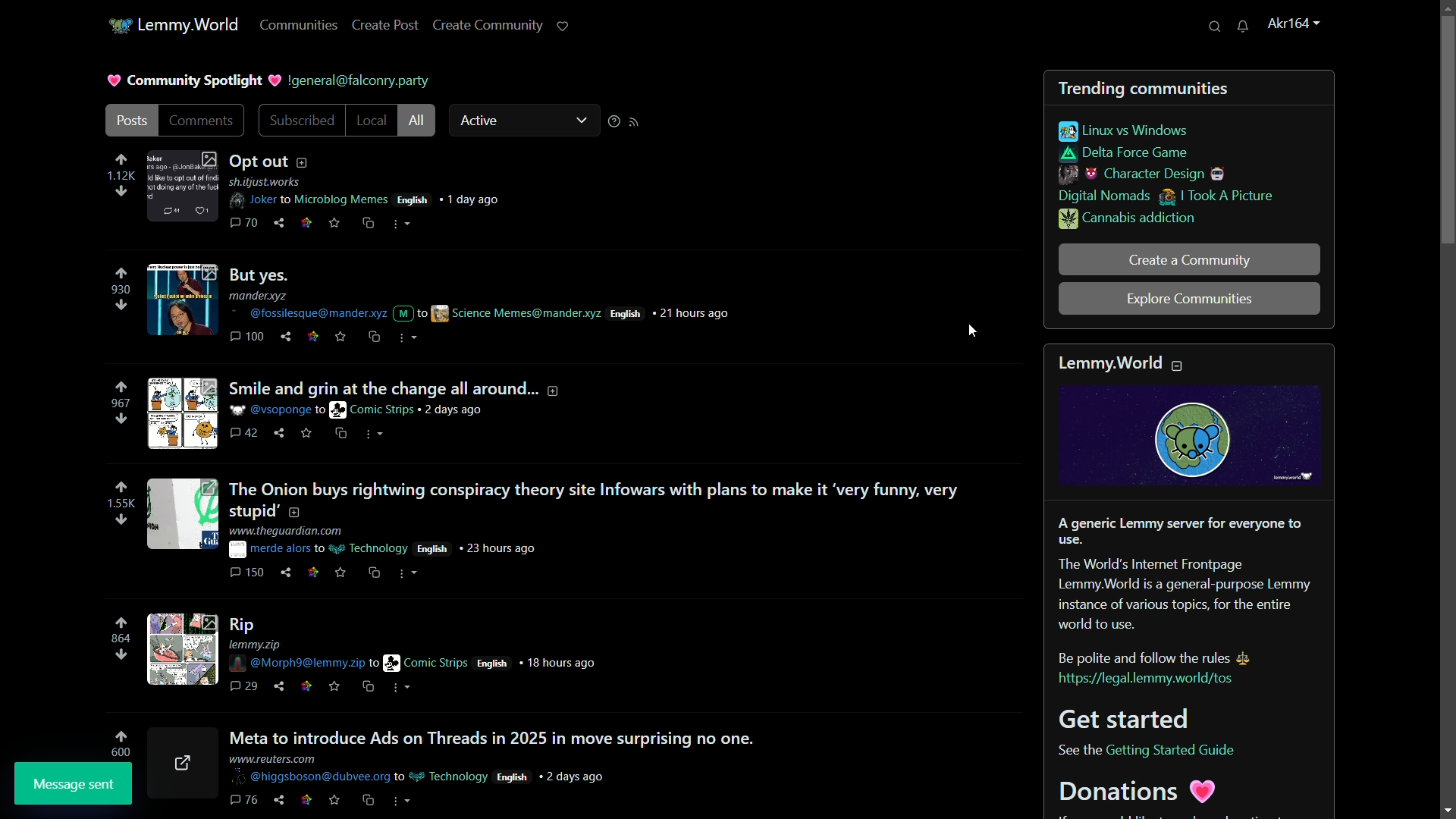  I want to click on downvote, so click(121, 654).